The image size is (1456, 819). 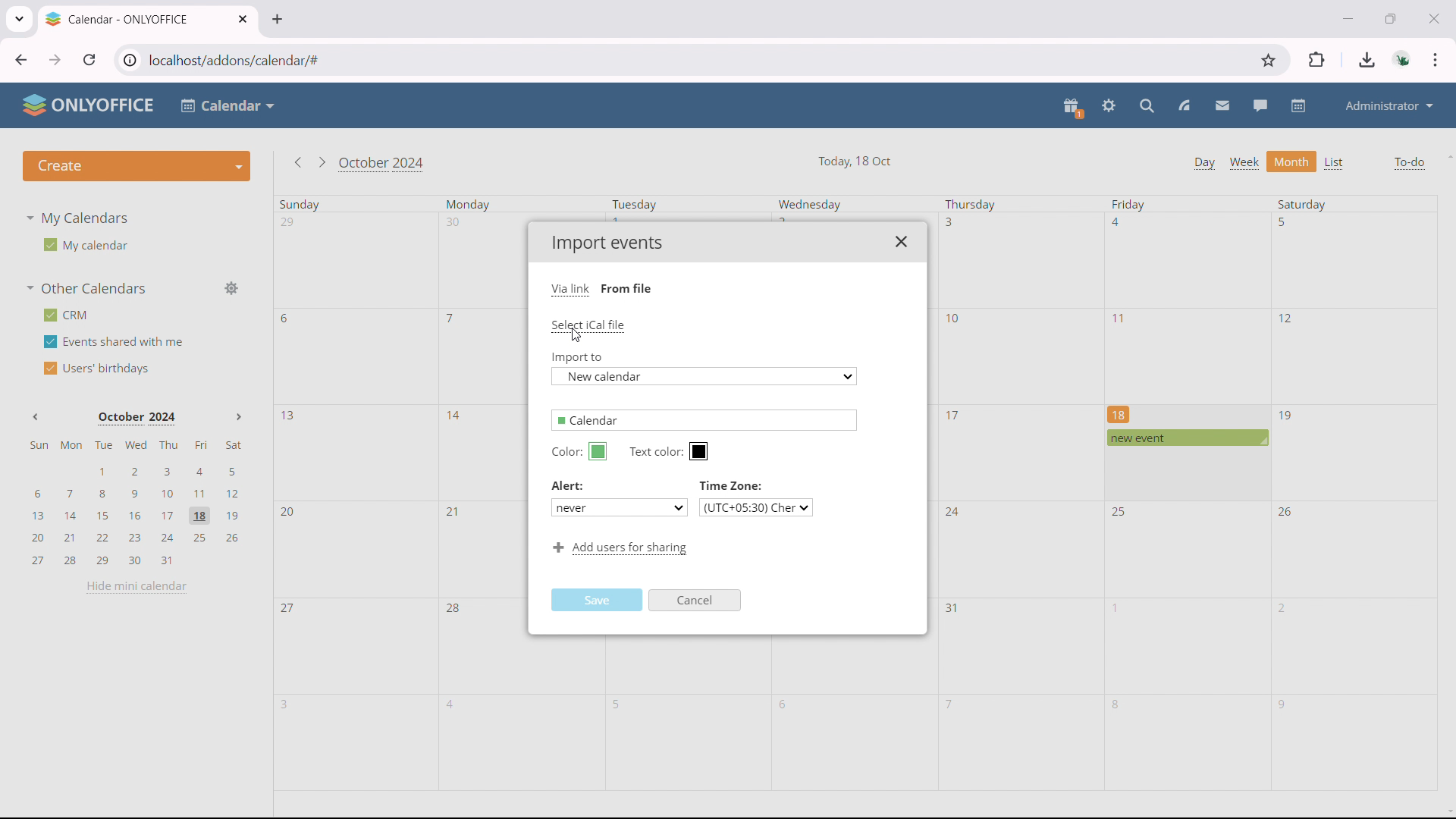 What do you see at coordinates (952, 513) in the screenshot?
I see `24` at bounding box center [952, 513].